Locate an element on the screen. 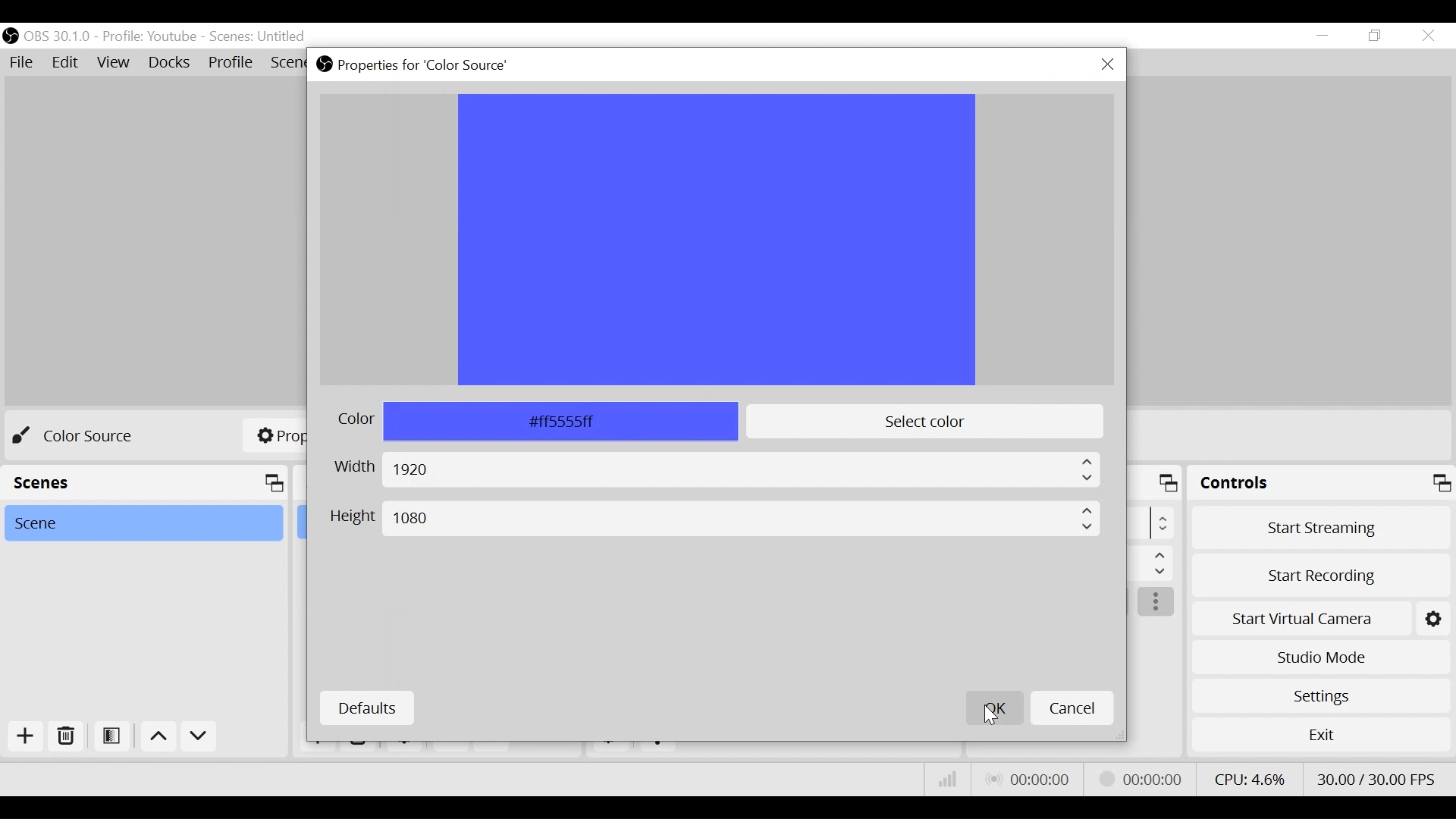  Select Color is located at coordinates (924, 422).